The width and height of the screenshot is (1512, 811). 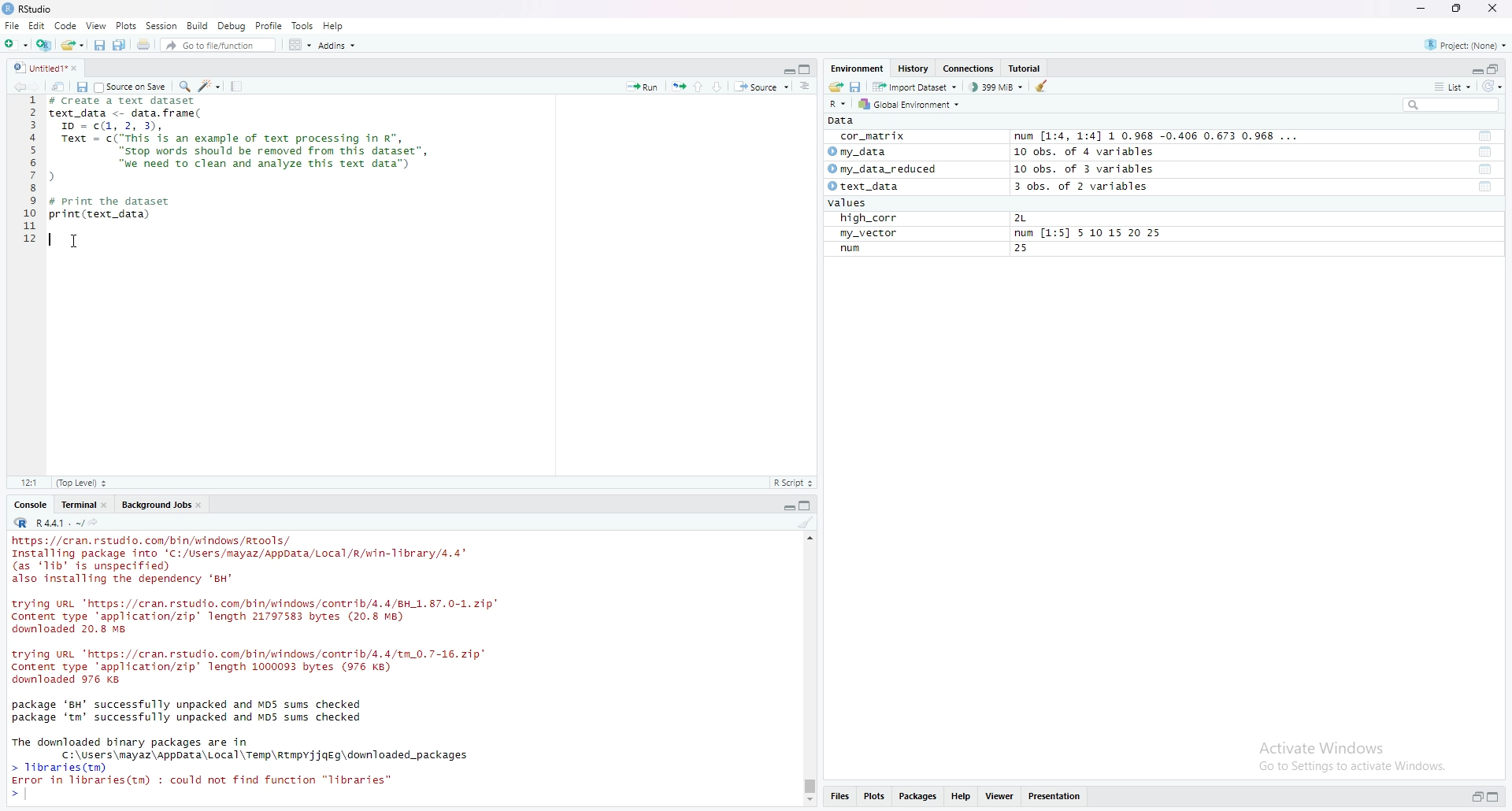 I want to click on 10 obs. of 3 variables, so click(x=1088, y=168).